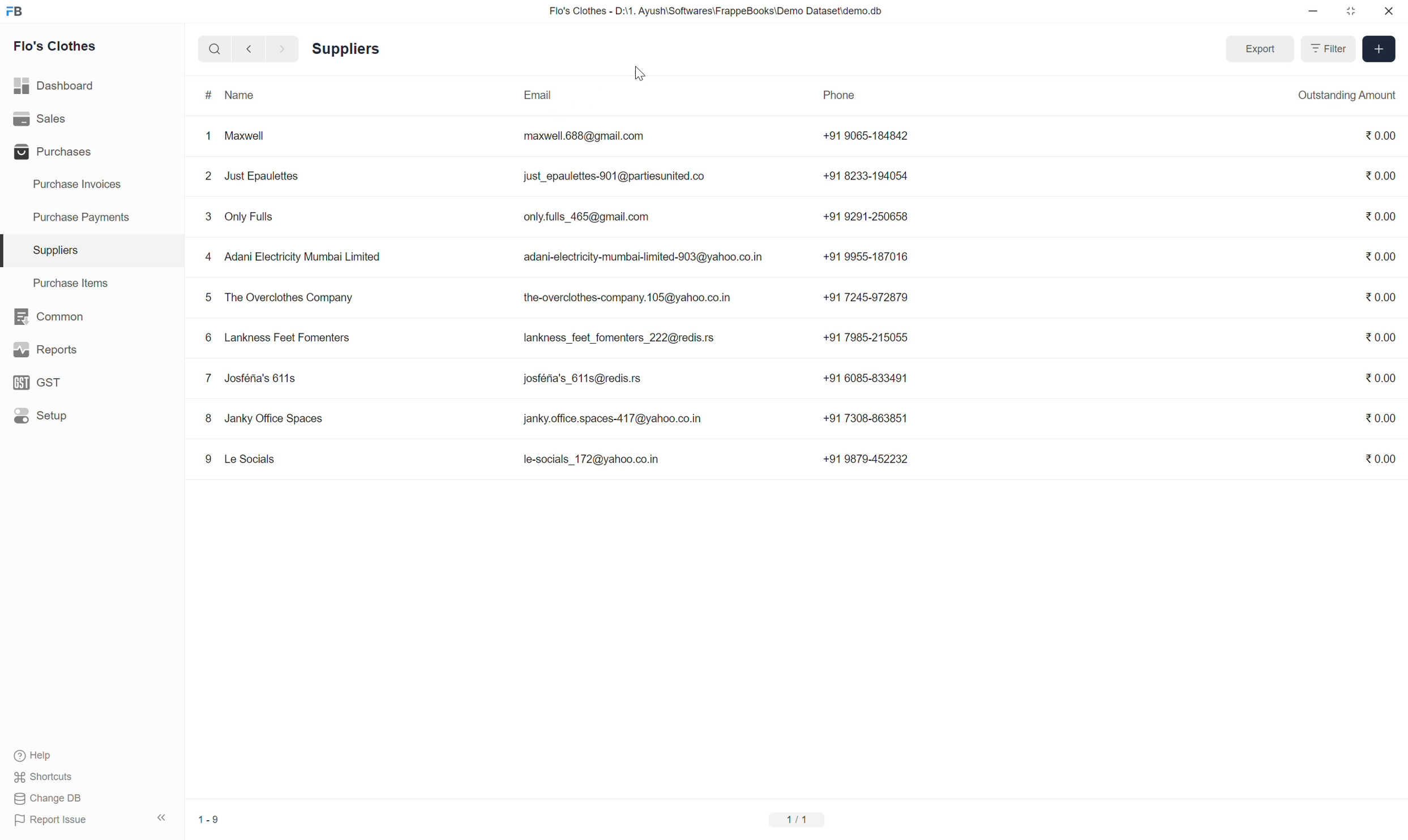 The height and width of the screenshot is (840, 1408). What do you see at coordinates (1380, 175) in the screenshot?
I see `0.00` at bounding box center [1380, 175].